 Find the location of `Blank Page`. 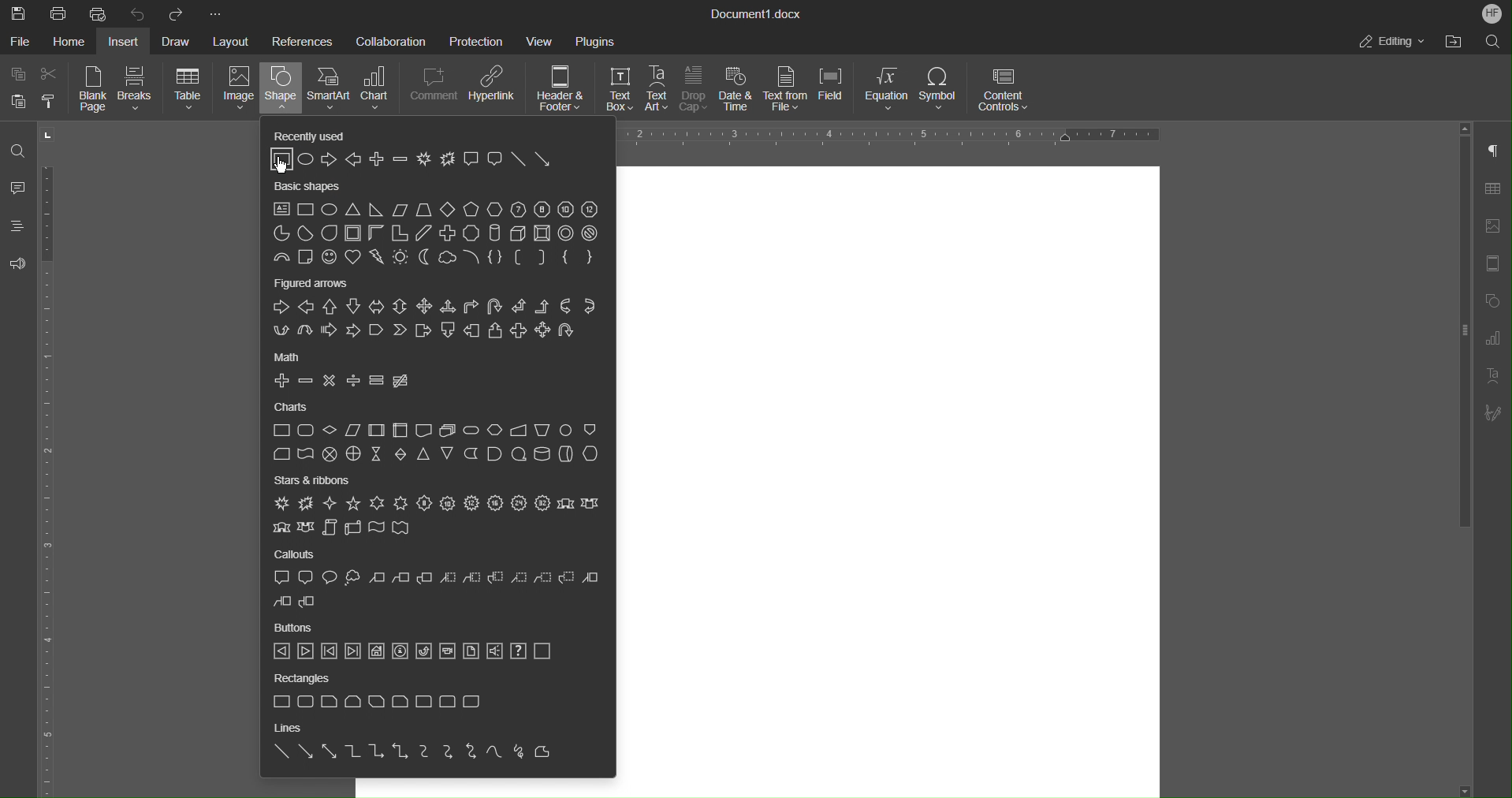

Blank Page is located at coordinates (95, 91).